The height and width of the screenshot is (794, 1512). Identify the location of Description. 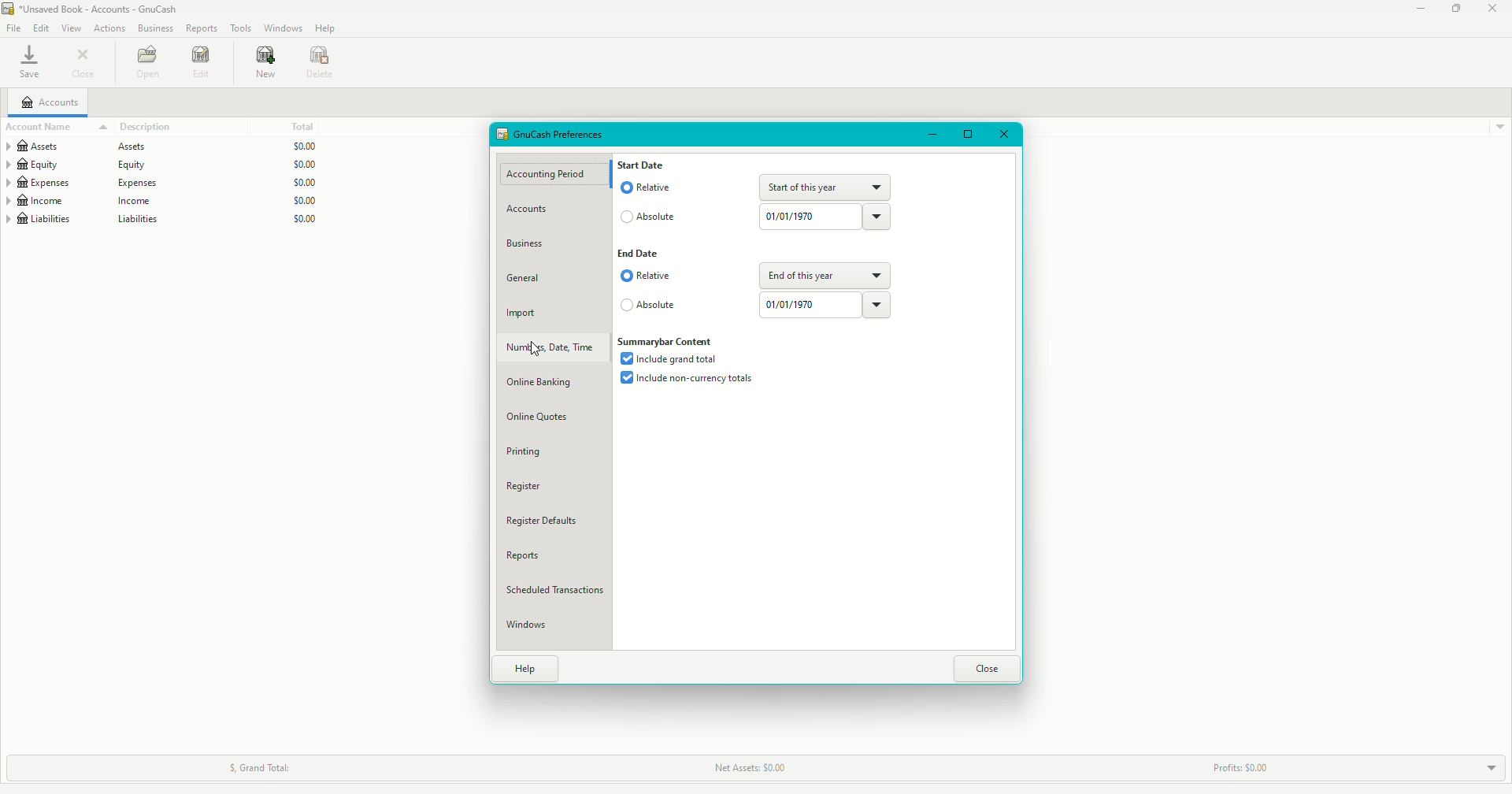
(137, 125).